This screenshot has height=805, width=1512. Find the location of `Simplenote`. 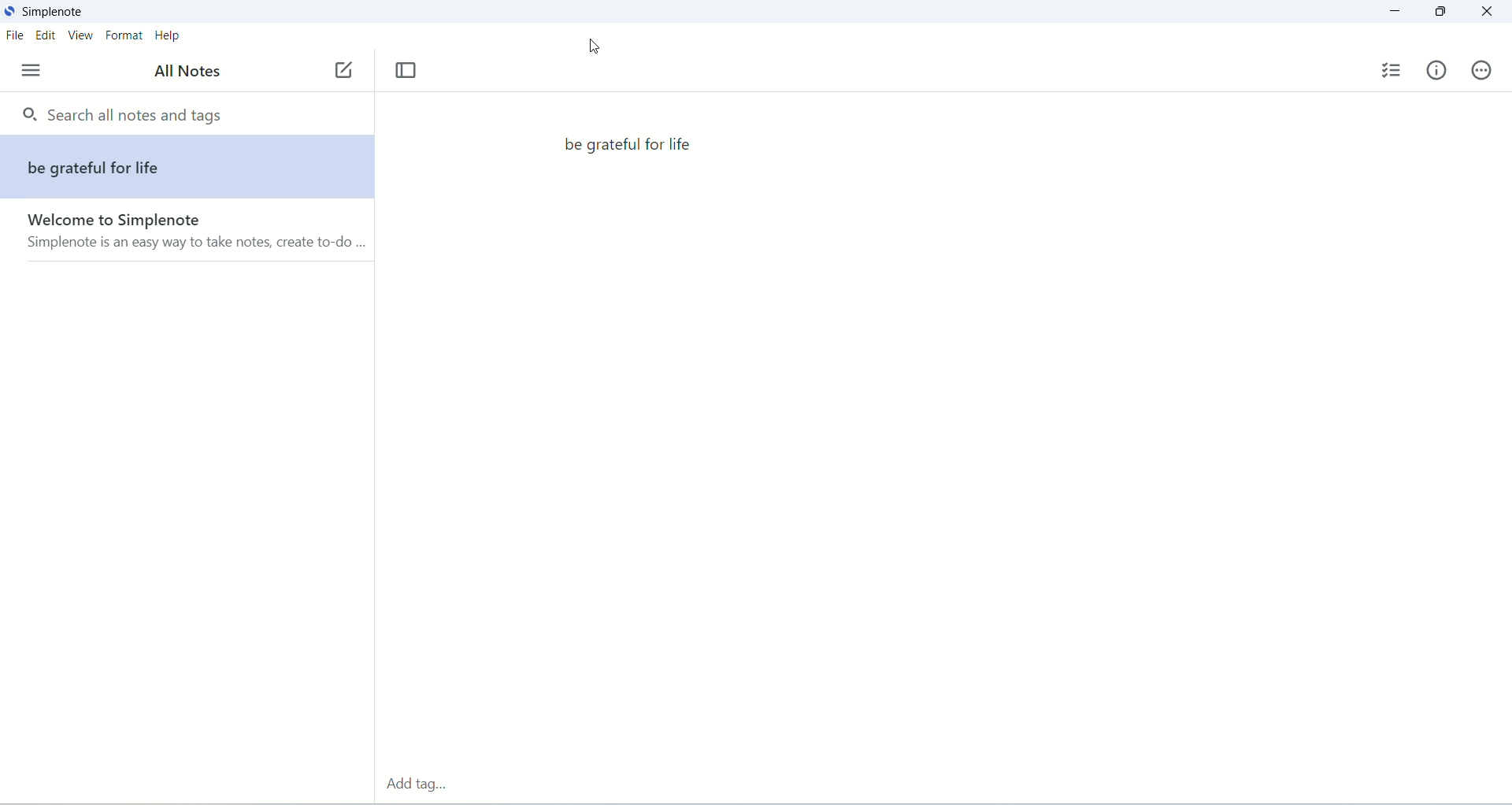

Simplenote is located at coordinates (53, 13).